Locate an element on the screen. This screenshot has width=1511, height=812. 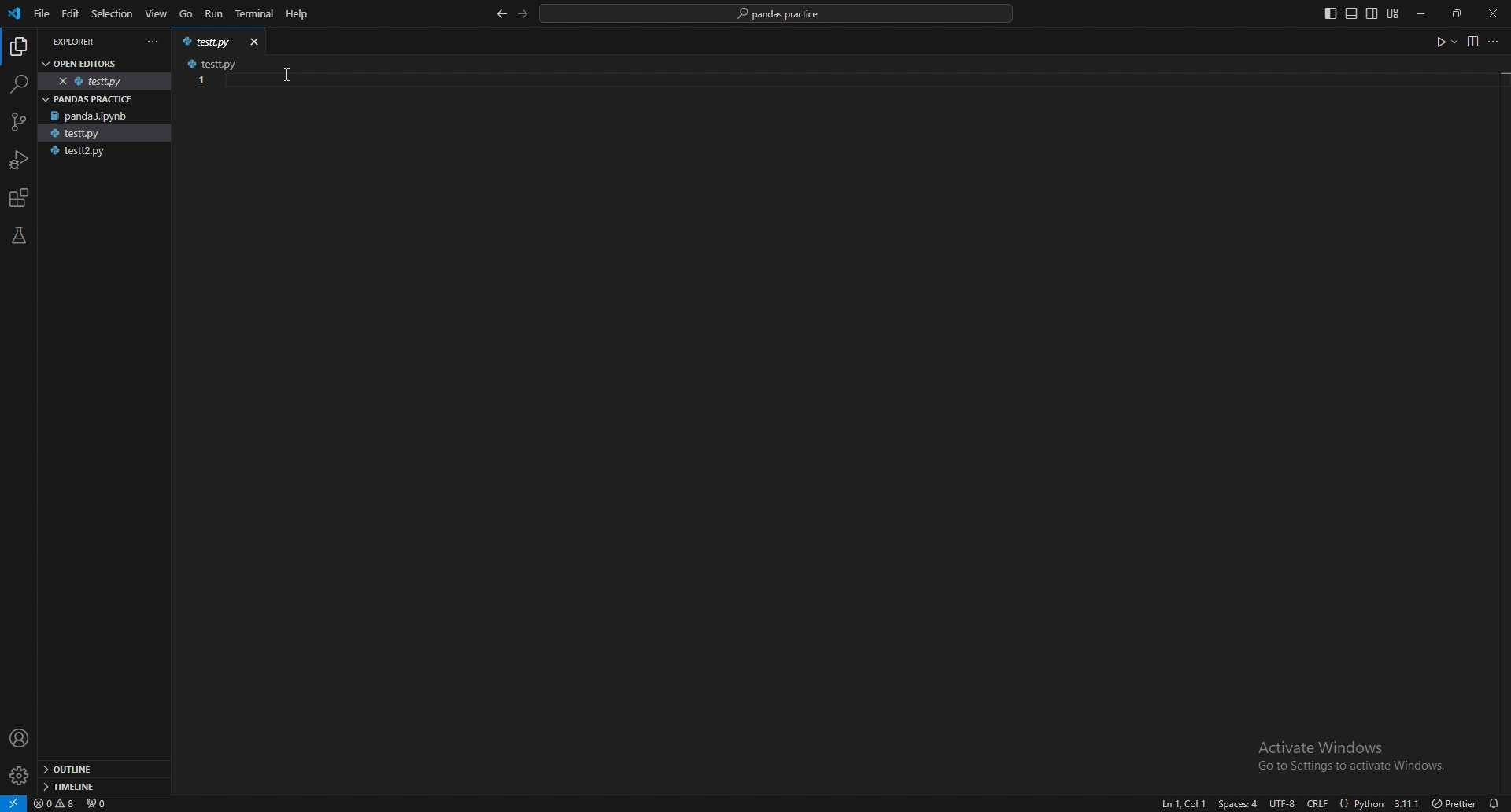
code input is located at coordinates (691, 82).